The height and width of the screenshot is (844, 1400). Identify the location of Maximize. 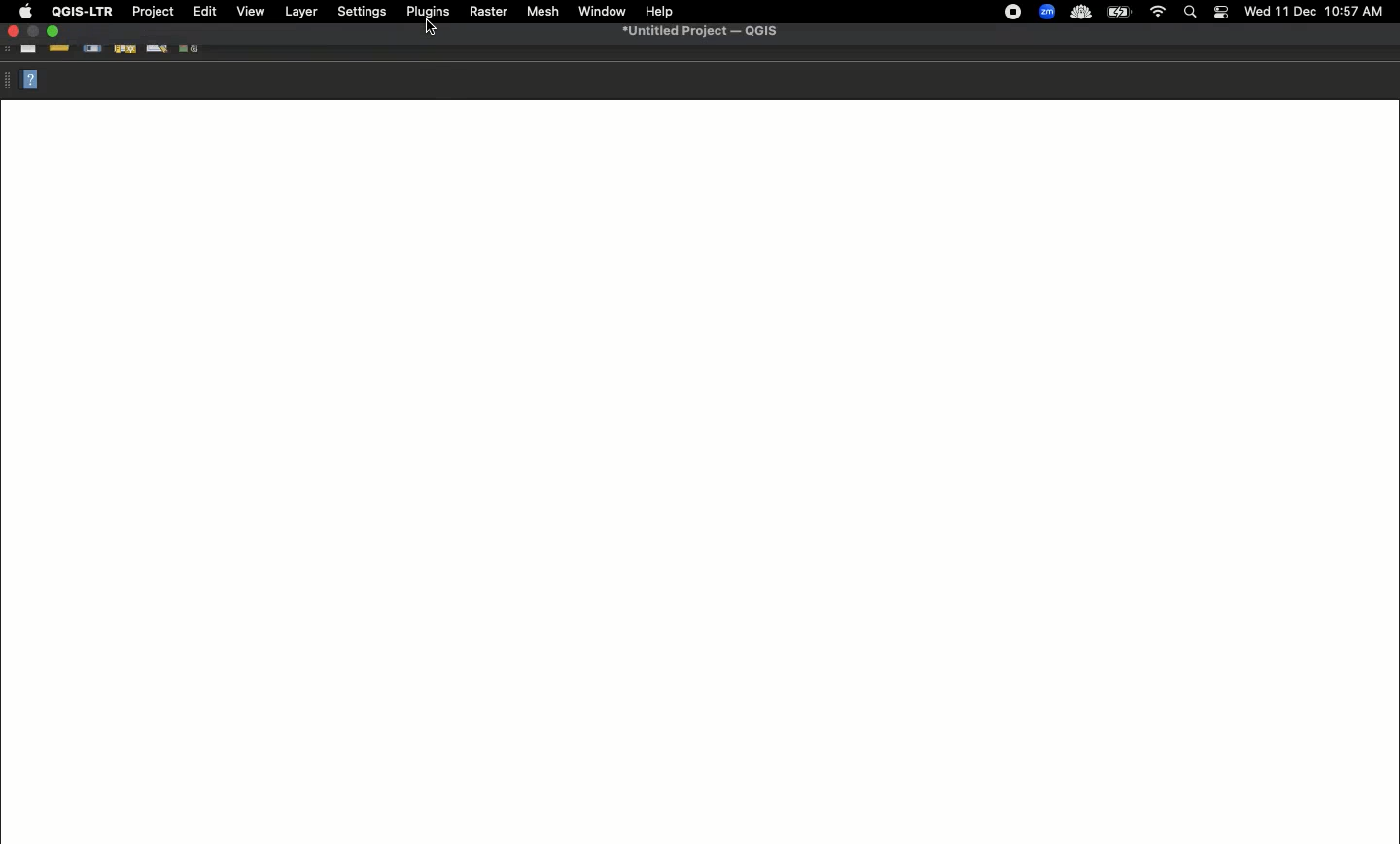
(53, 32).